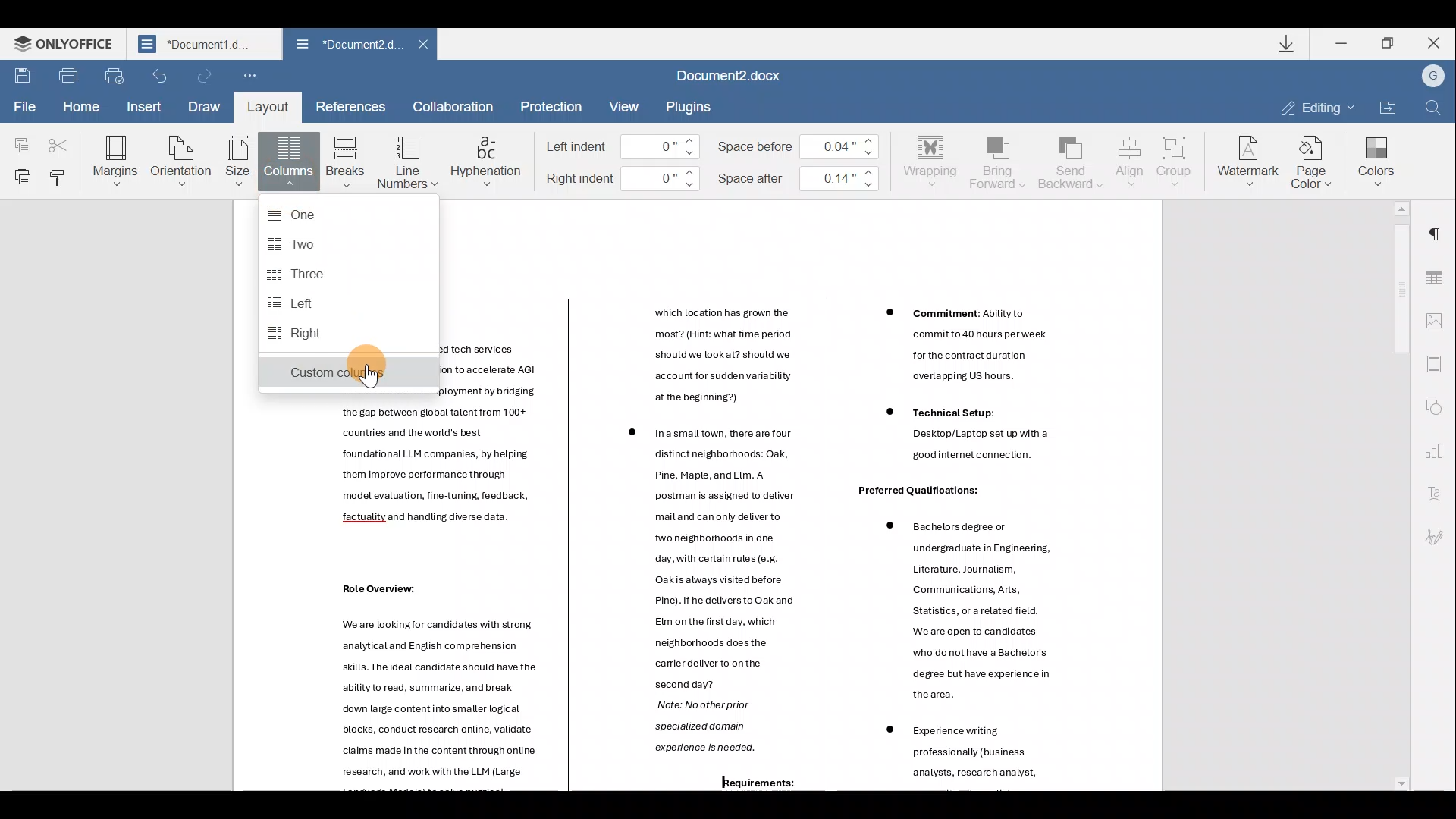  What do you see at coordinates (1441, 228) in the screenshot?
I see `Paragraph settings` at bounding box center [1441, 228].